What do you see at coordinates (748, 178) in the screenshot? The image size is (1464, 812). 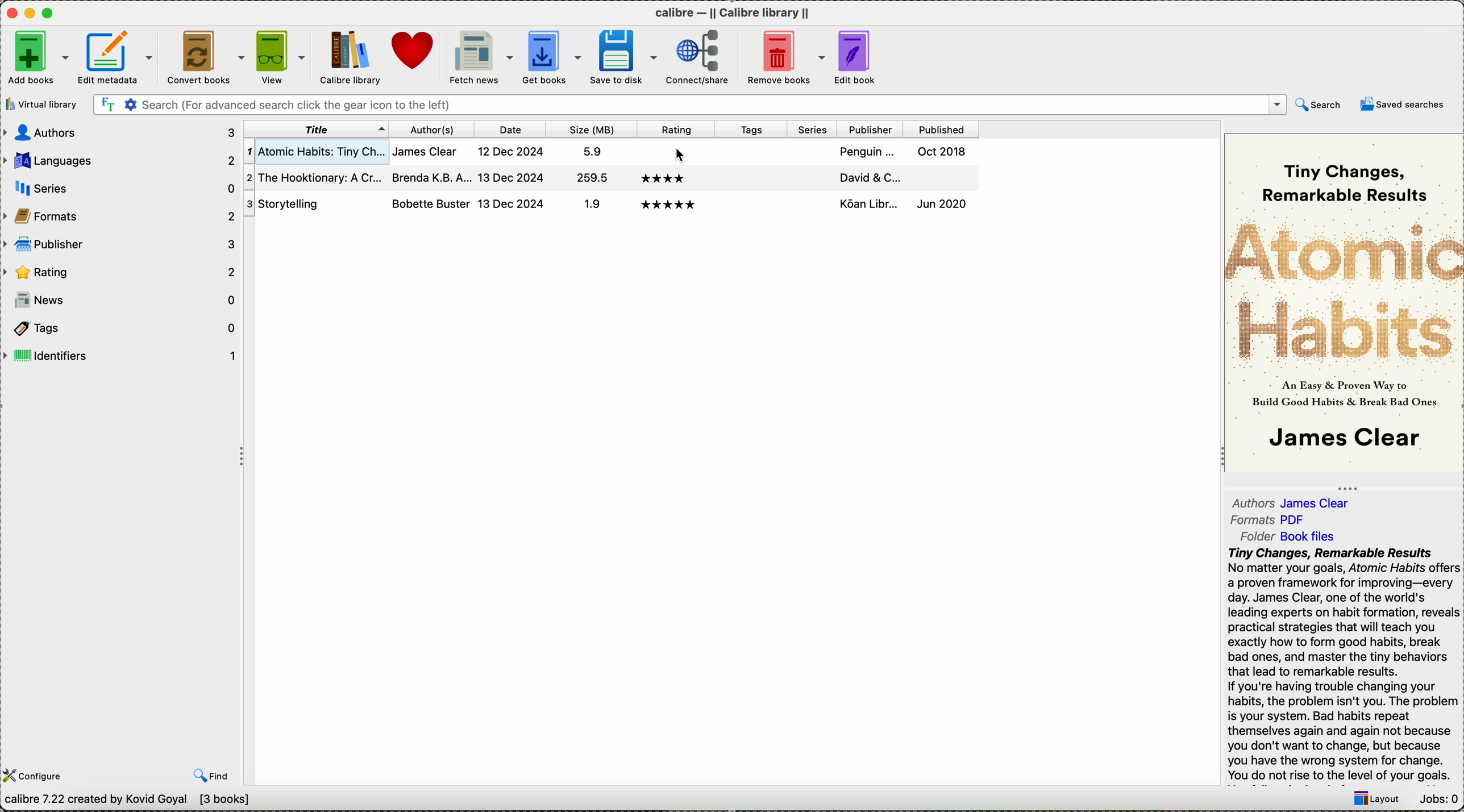 I see `tags` at bounding box center [748, 178].